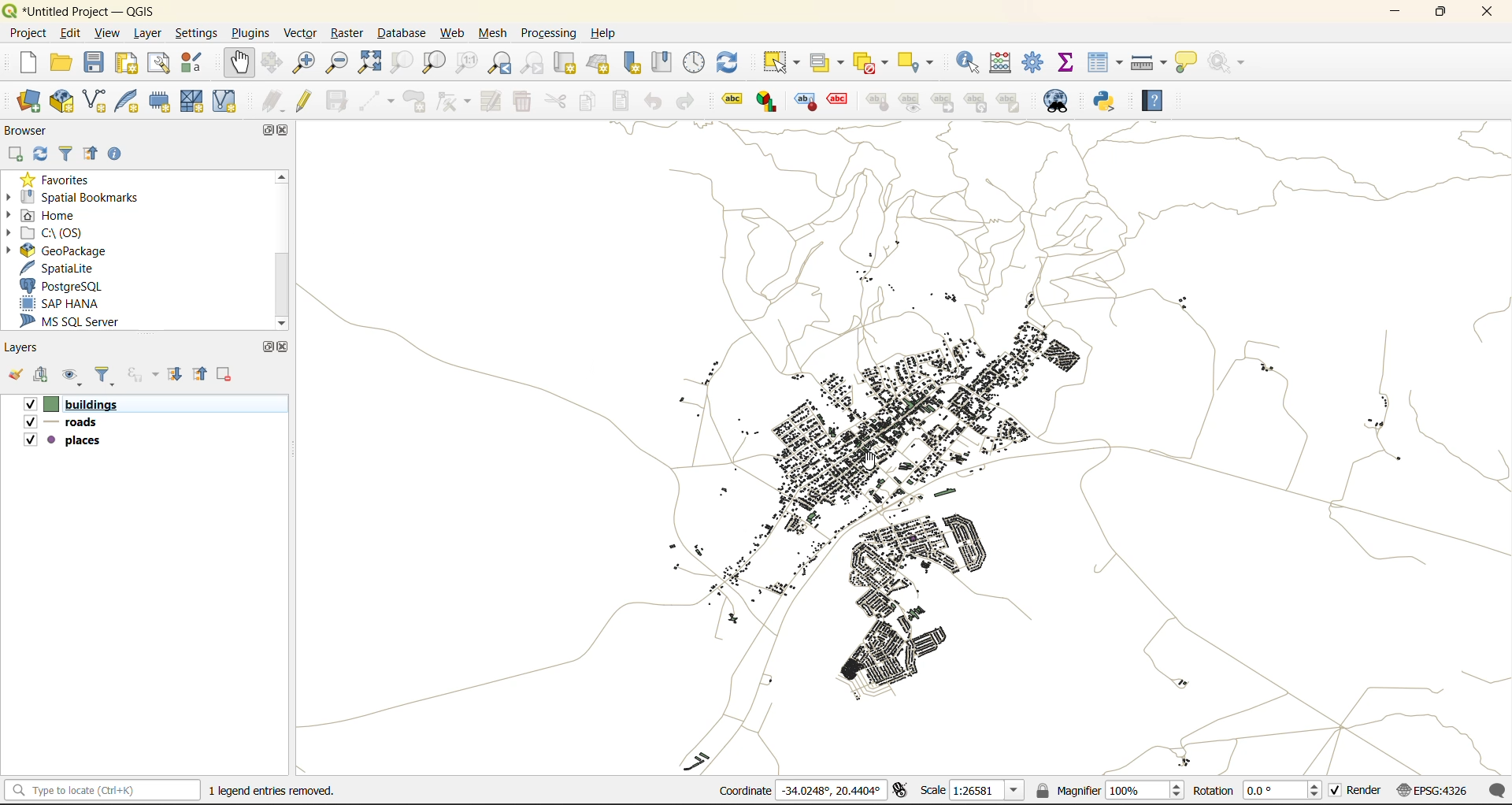  What do you see at coordinates (277, 62) in the screenshot?
I see `pan to selection` at bounding box center [277, 62].